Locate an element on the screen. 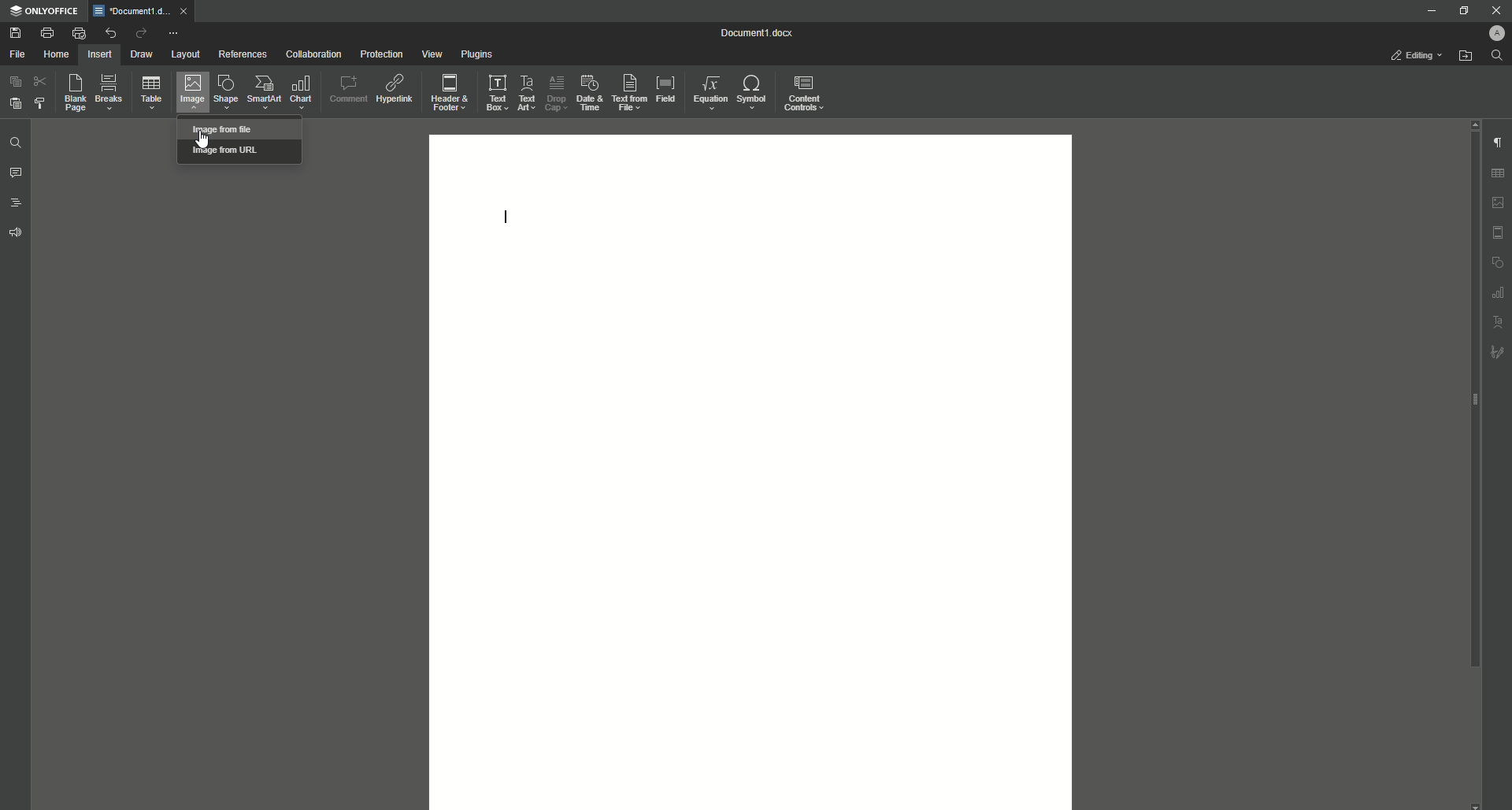 This screenshot has height=810, width=1512. Shape Settings is located at coordinates (1498, 262).